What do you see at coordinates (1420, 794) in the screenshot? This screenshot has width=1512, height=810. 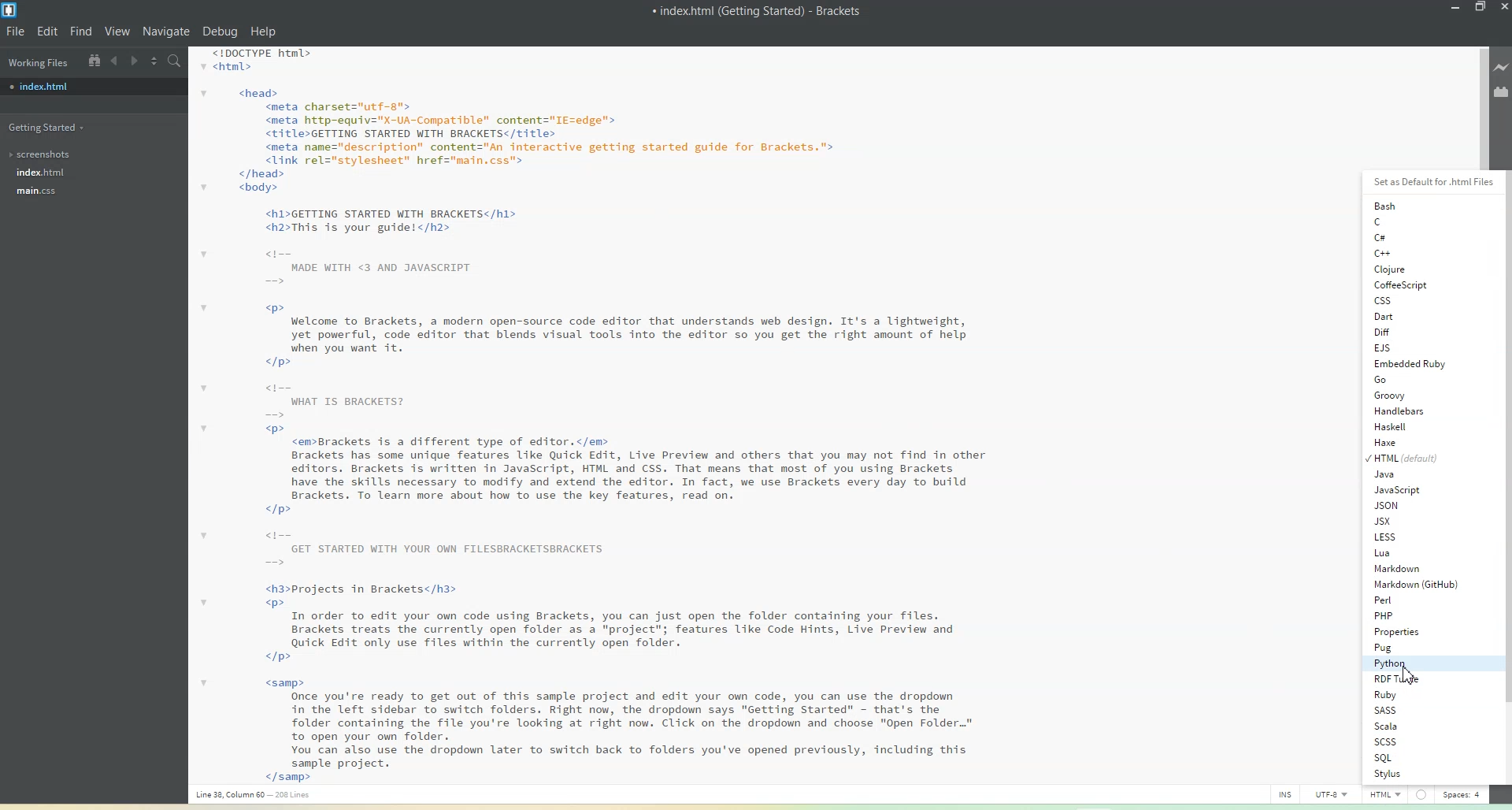 I see `space` at bounding box center [1420, 794].